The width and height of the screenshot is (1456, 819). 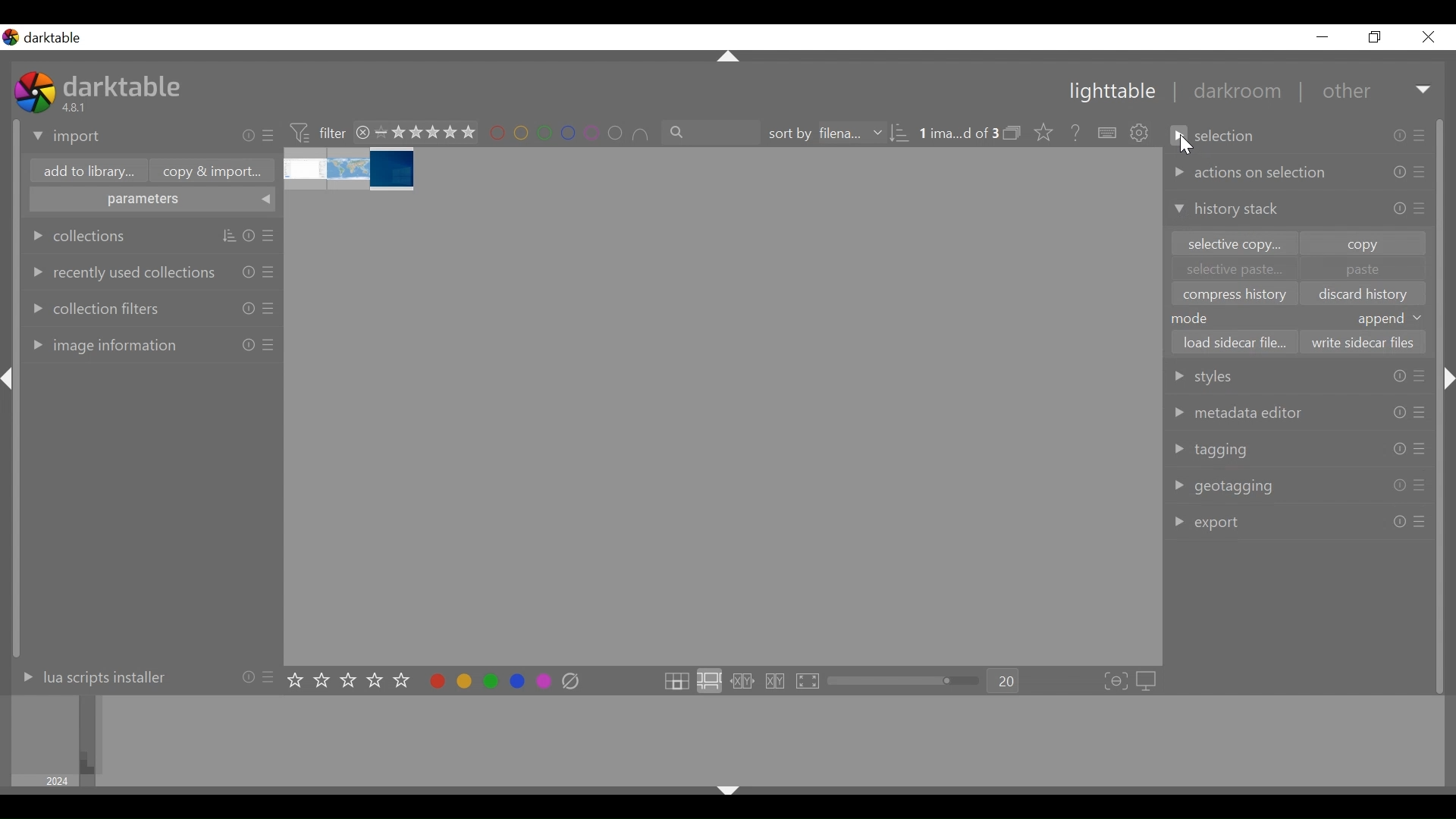 I want to click on history stack, so click(x=1226, y=209).